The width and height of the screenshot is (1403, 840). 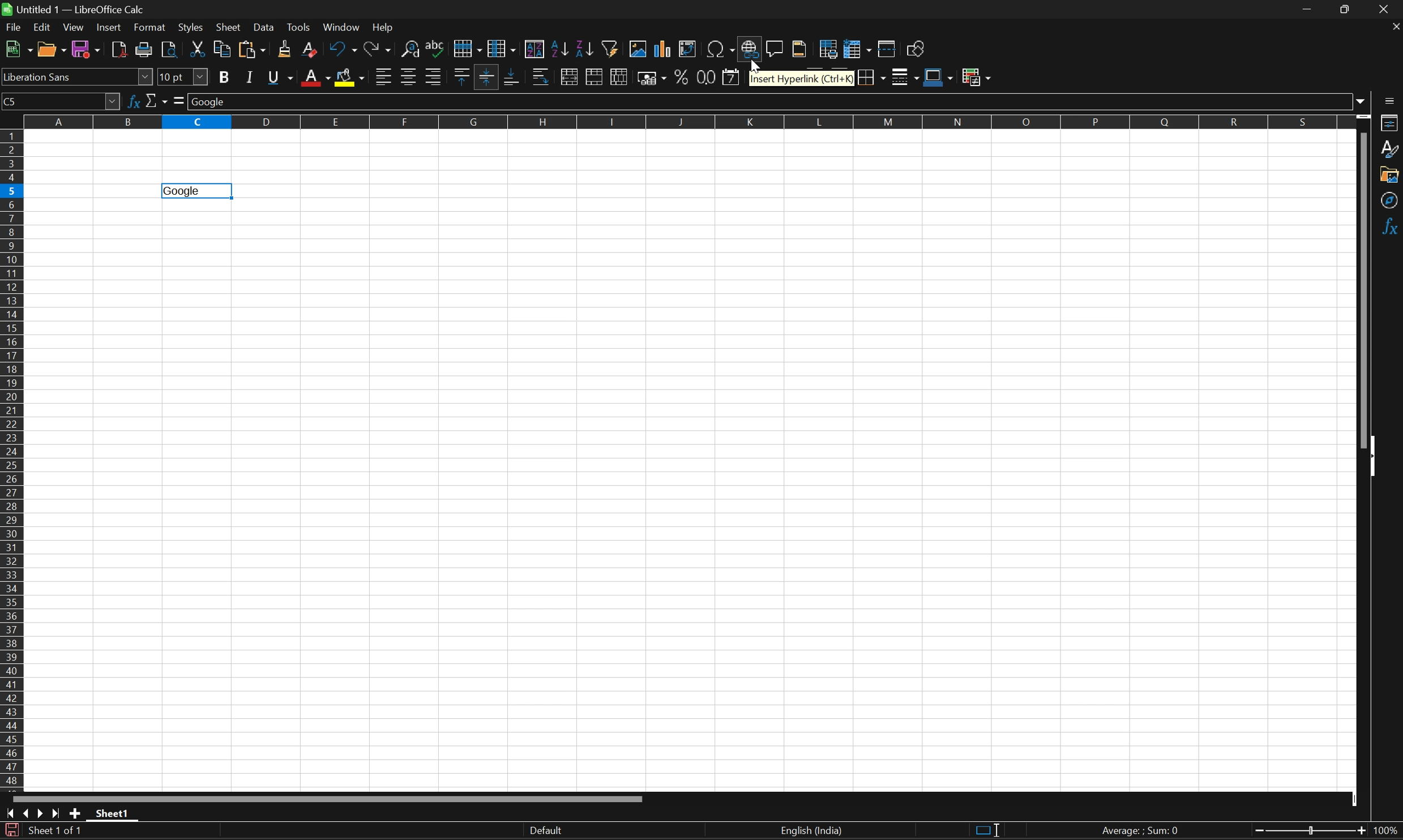 What do you see at coordinates (917, 48) in the screenshot?
I see `Show draw functions` at bounding box center [917, 48].